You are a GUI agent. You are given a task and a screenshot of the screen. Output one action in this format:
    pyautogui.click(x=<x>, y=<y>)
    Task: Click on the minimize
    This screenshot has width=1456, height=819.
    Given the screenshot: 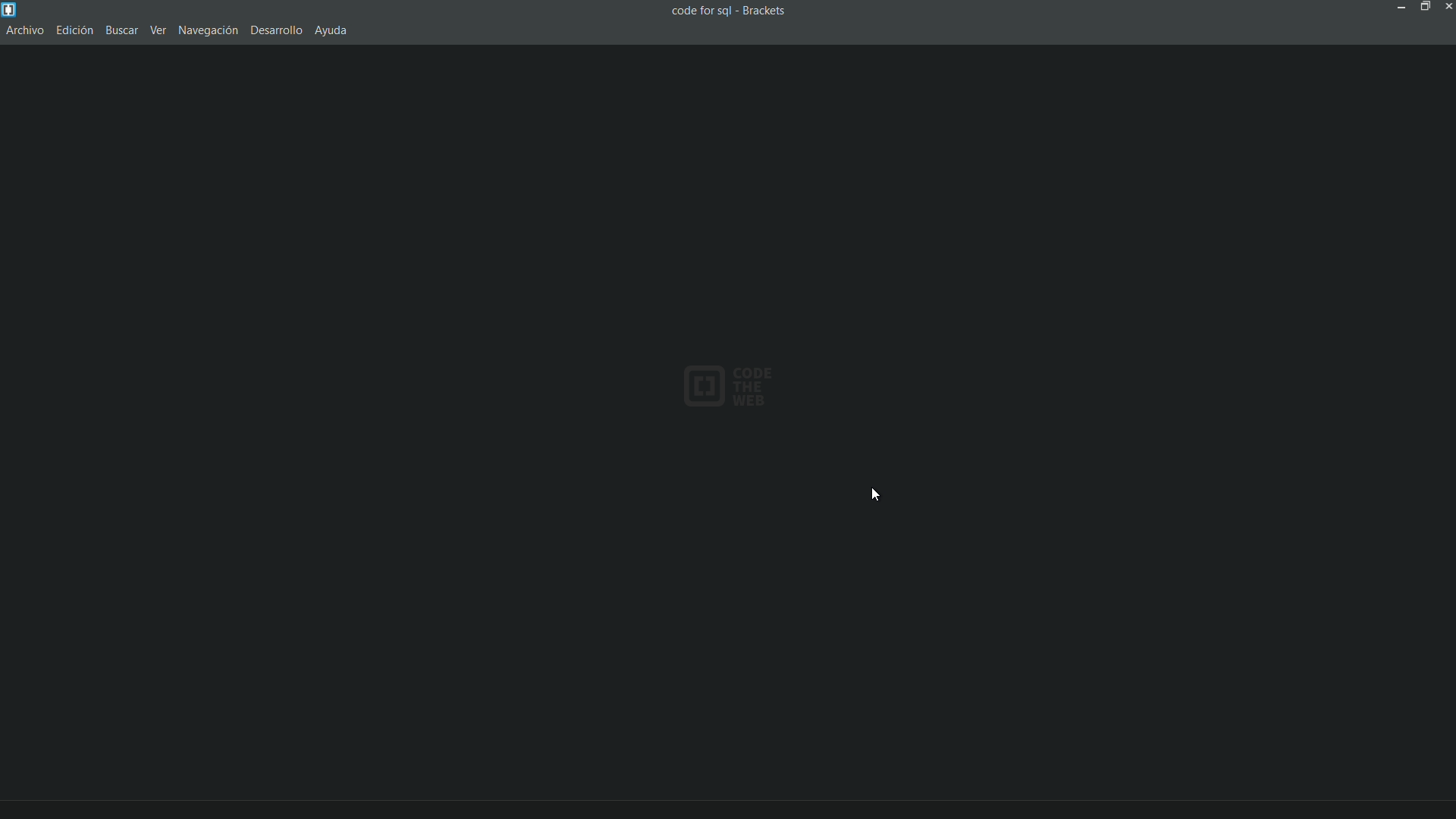 What is the action you would take?
    pyautogui.click(x=1403, y=8)
    